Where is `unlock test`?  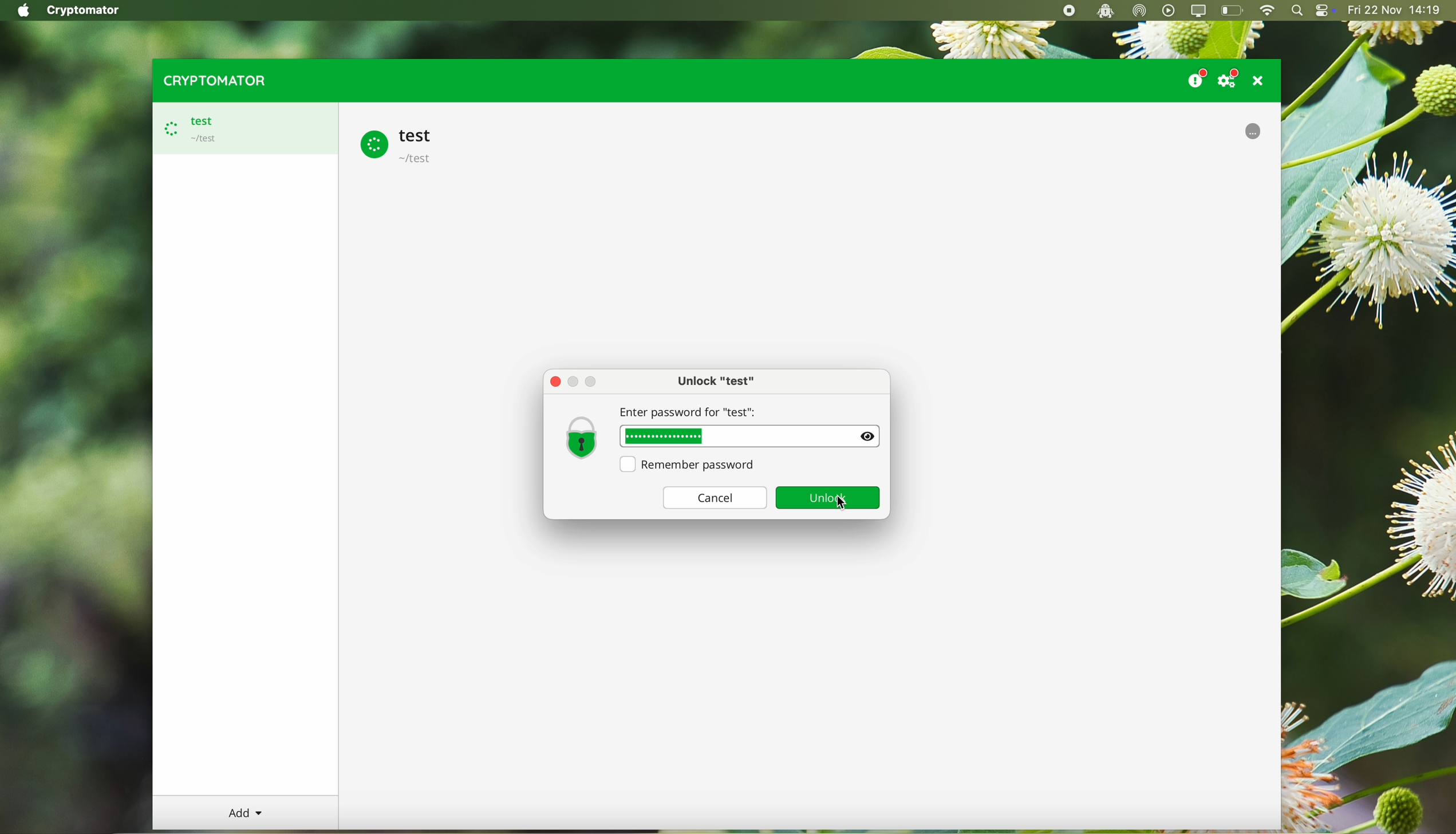
unlock test is located at coordinates (719, 381).